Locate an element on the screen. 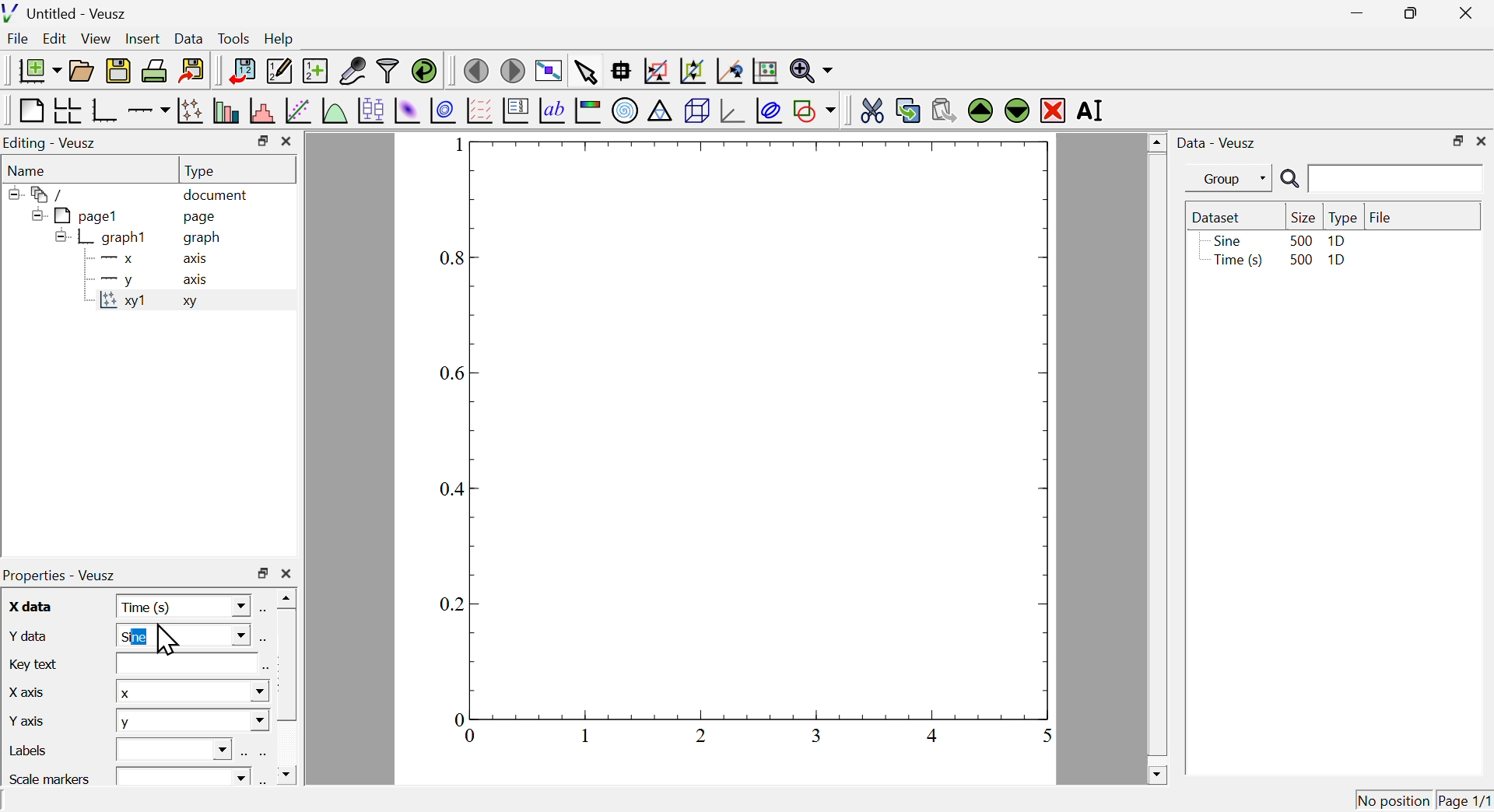 The image size is (1494, 812). type is located at coordinates (1343, 218).